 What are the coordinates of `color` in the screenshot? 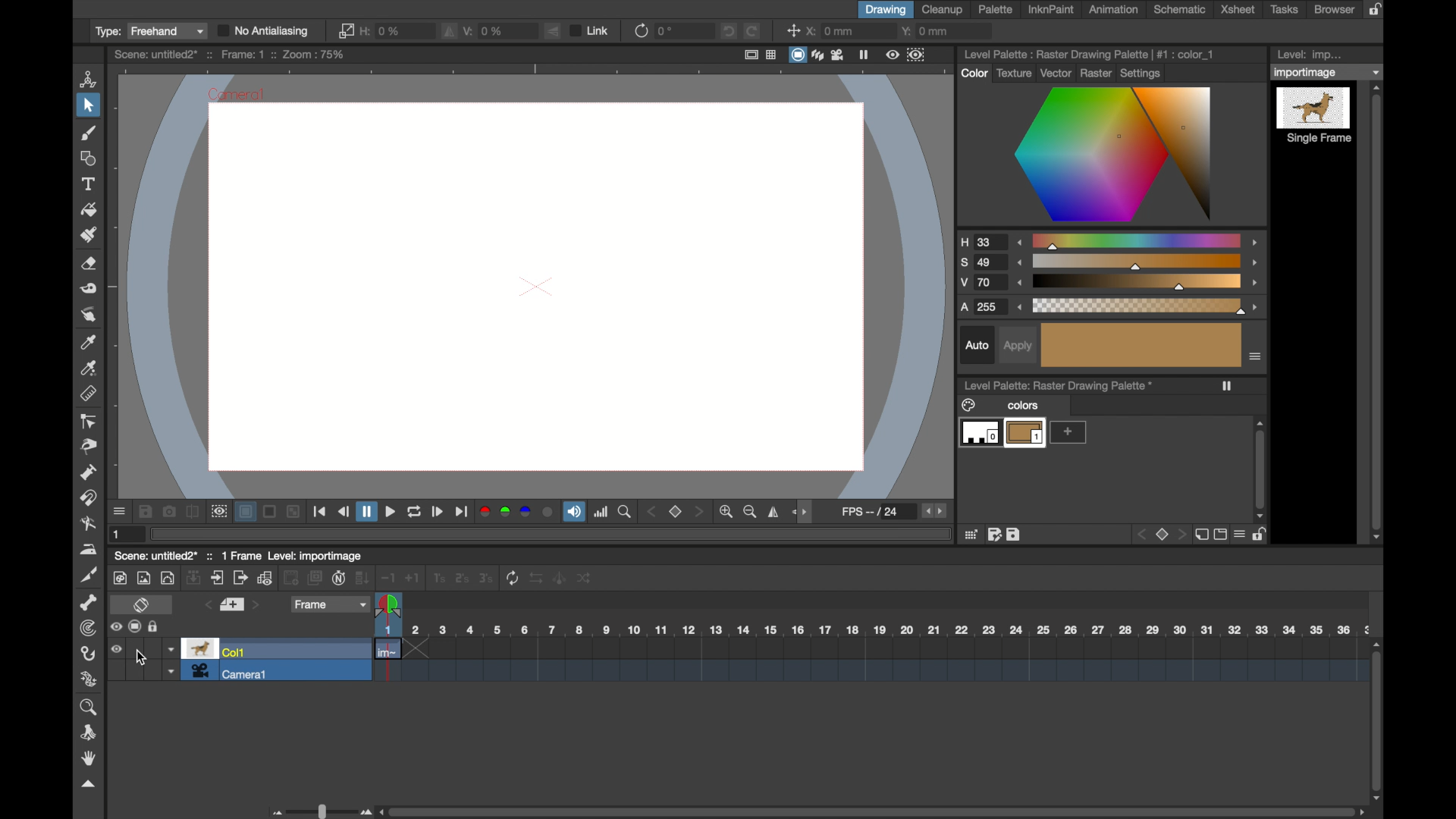 It's located at (974, 73).